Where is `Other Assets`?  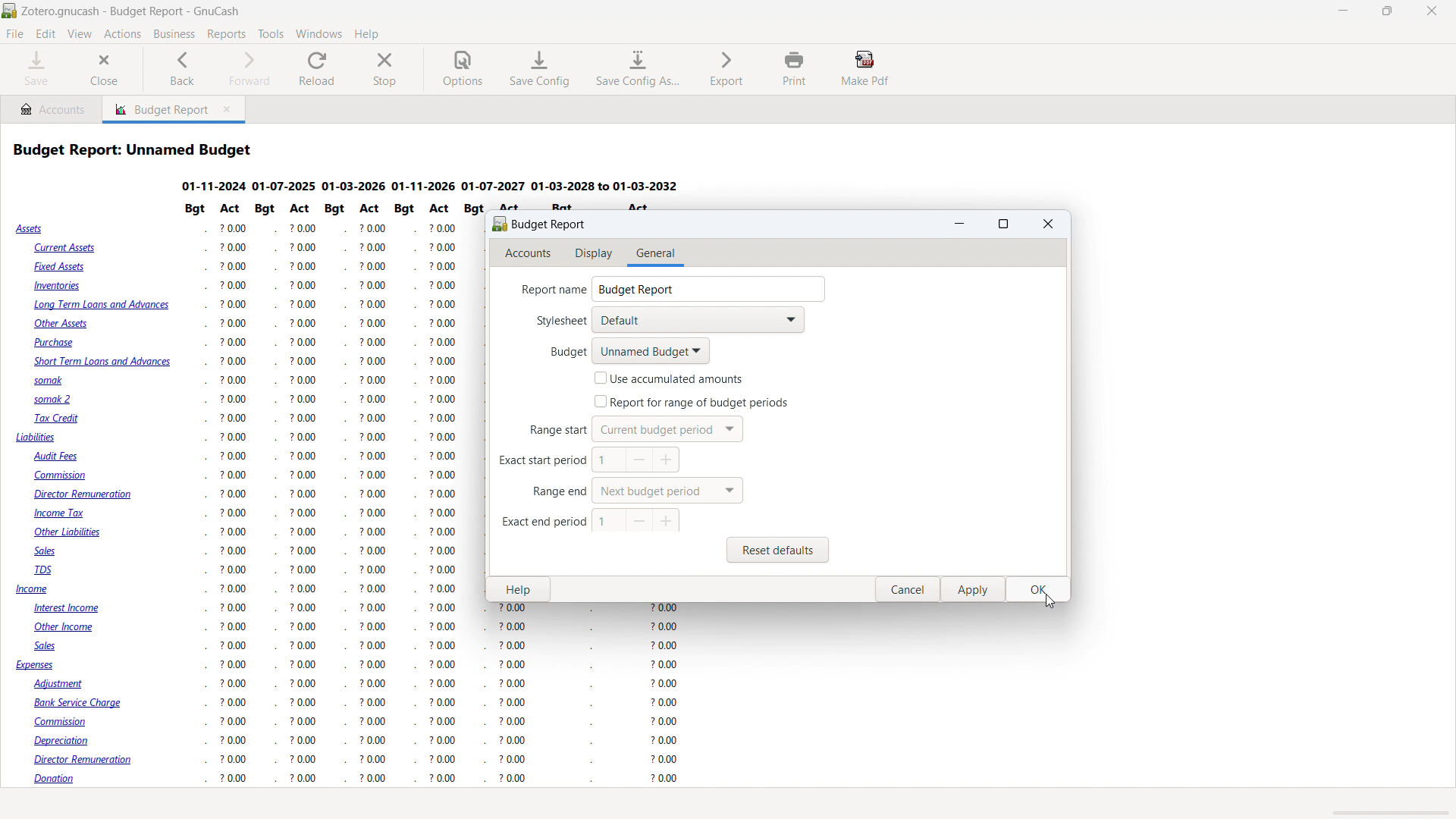 Other Assets is located at coordinates (61, 324).